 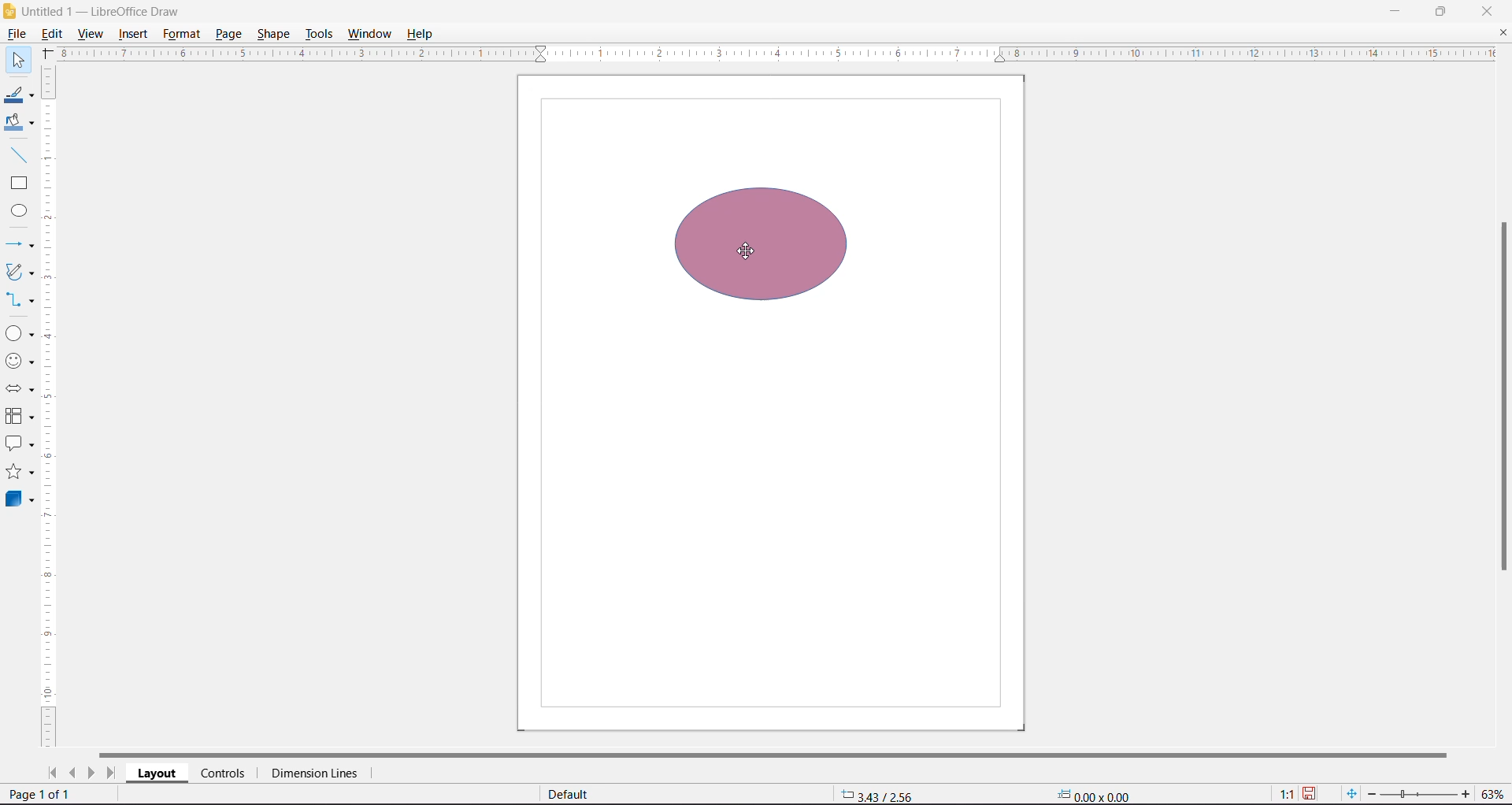 What do you see at coordinates (1396, 12) in the screenshot?
I see `Minimize` at bounding box center [1396, 12].